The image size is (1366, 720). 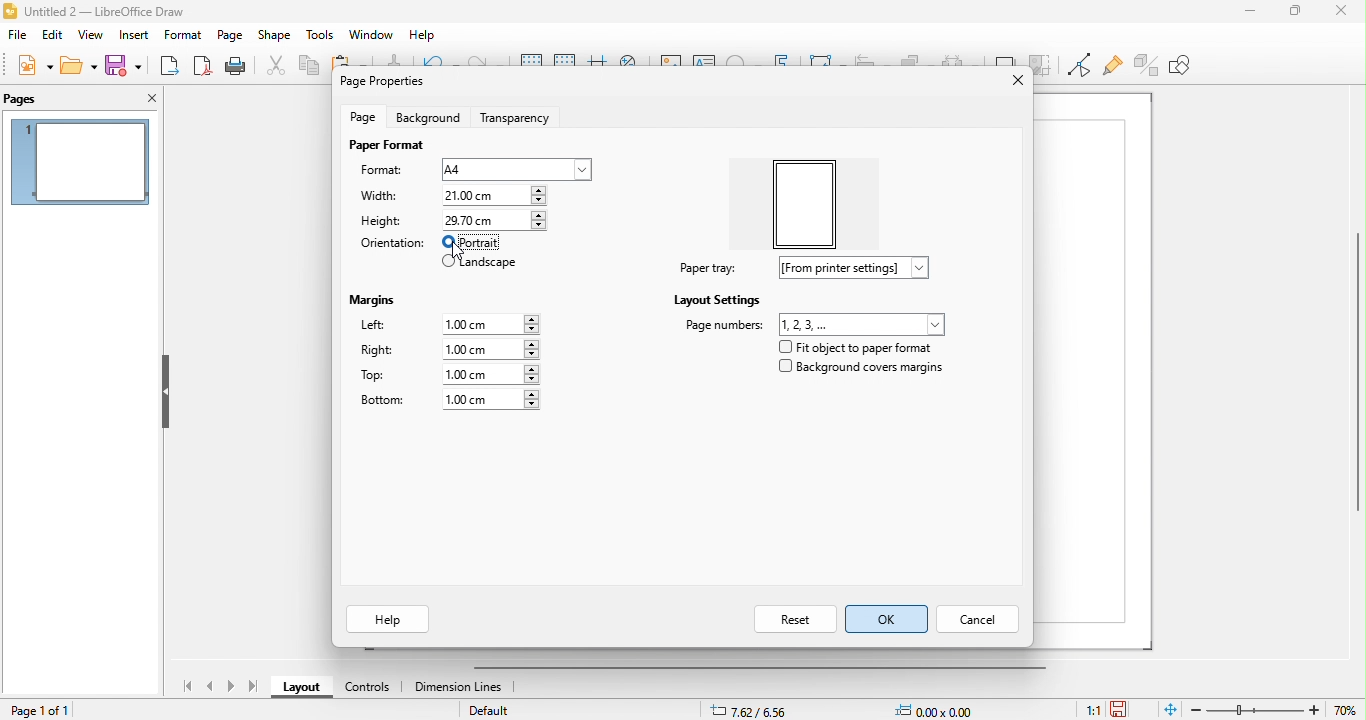 What do you see at coordinates (1083, 709) in the screenshot?
I see `1:1` at bounding box center [1083, 709].